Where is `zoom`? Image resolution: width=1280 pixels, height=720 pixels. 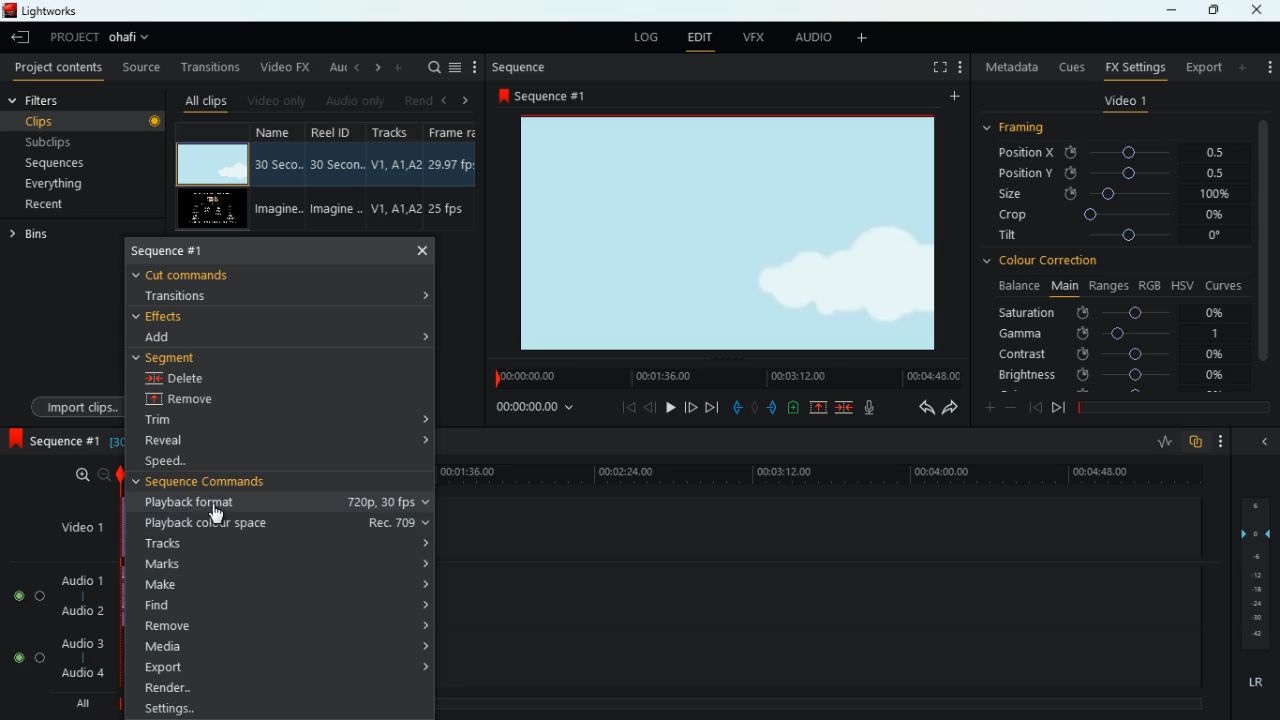
zoom is located at coordinates (85, 476).